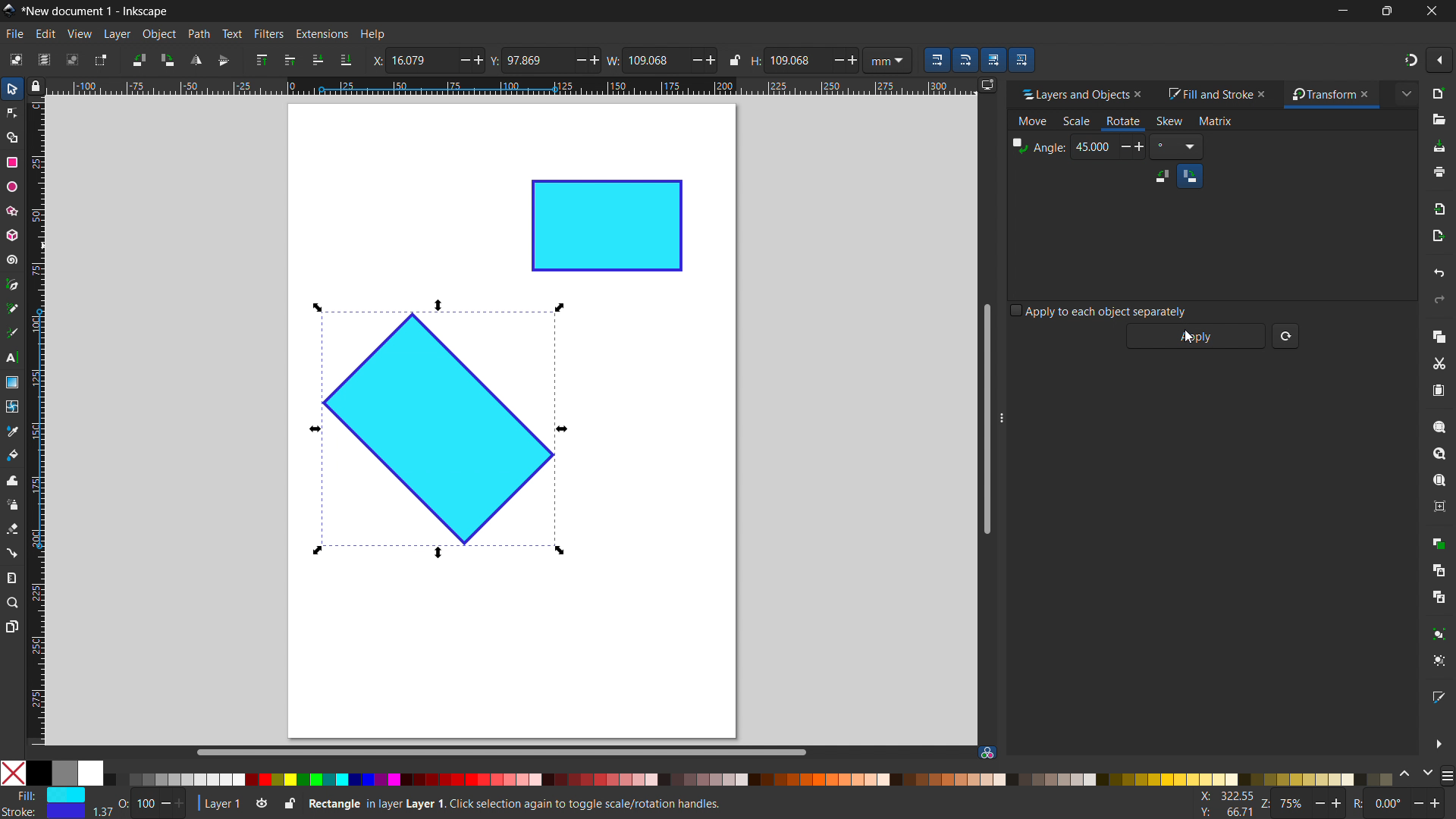  Describe the element at coordinates (44, 812) in the screenshot. I see `Stroke` at that location.